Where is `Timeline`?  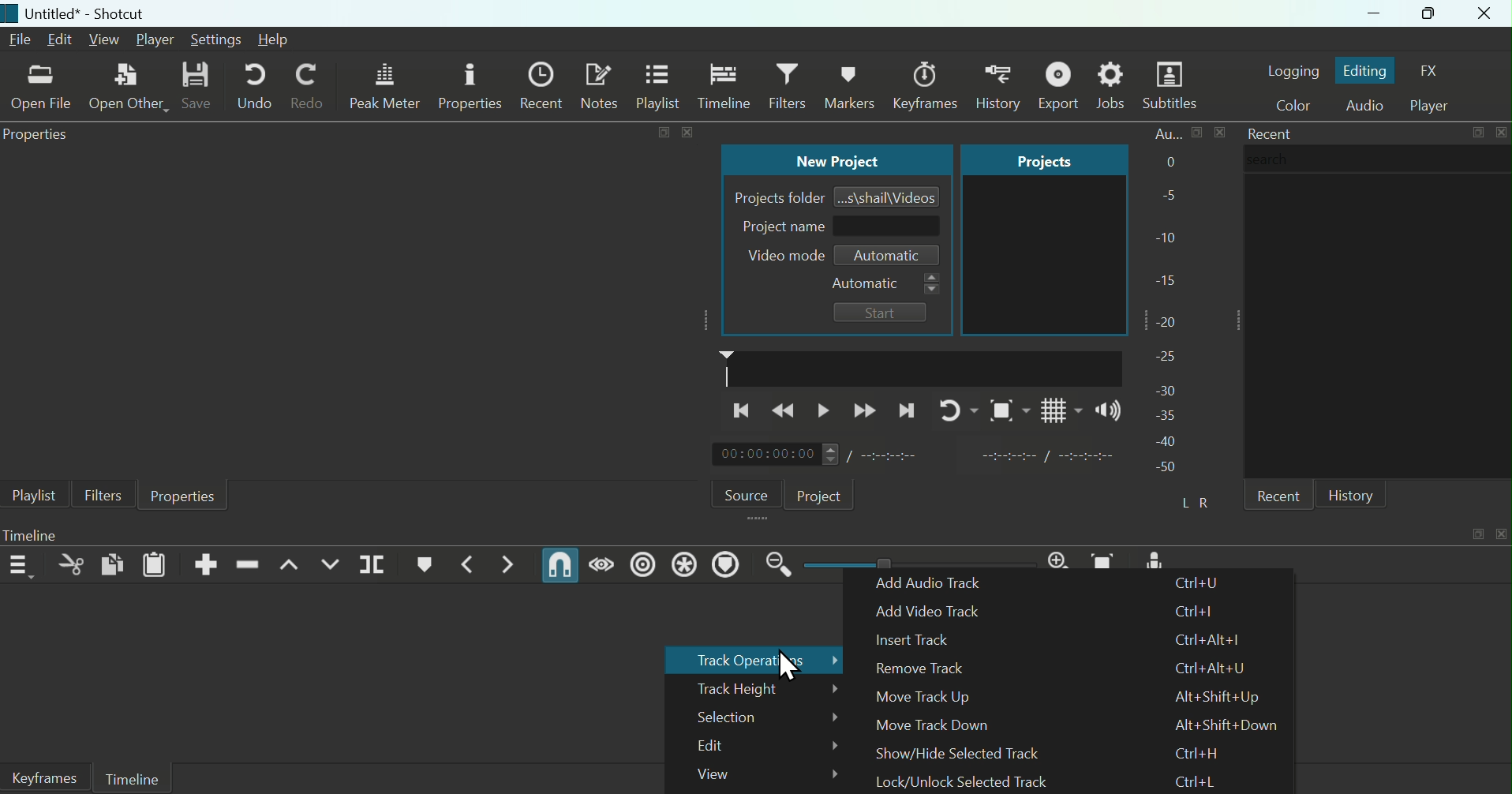 Timeline is located at coordinates (133, 778).